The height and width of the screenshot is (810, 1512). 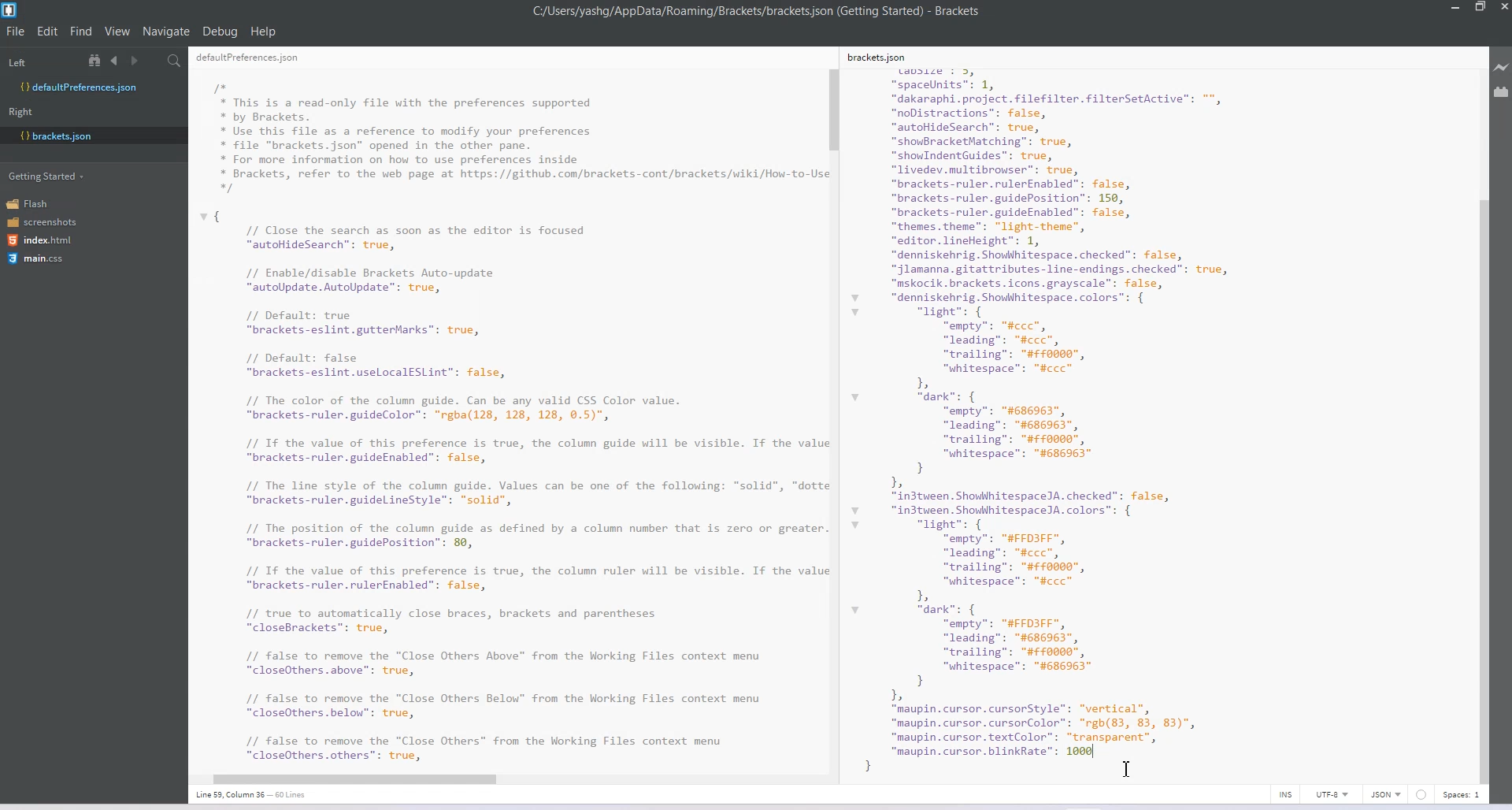 What do you see at coordinates (1129, 767) in the screenshot?
I see `Text Cursor` at bounding box center [1129, 767].